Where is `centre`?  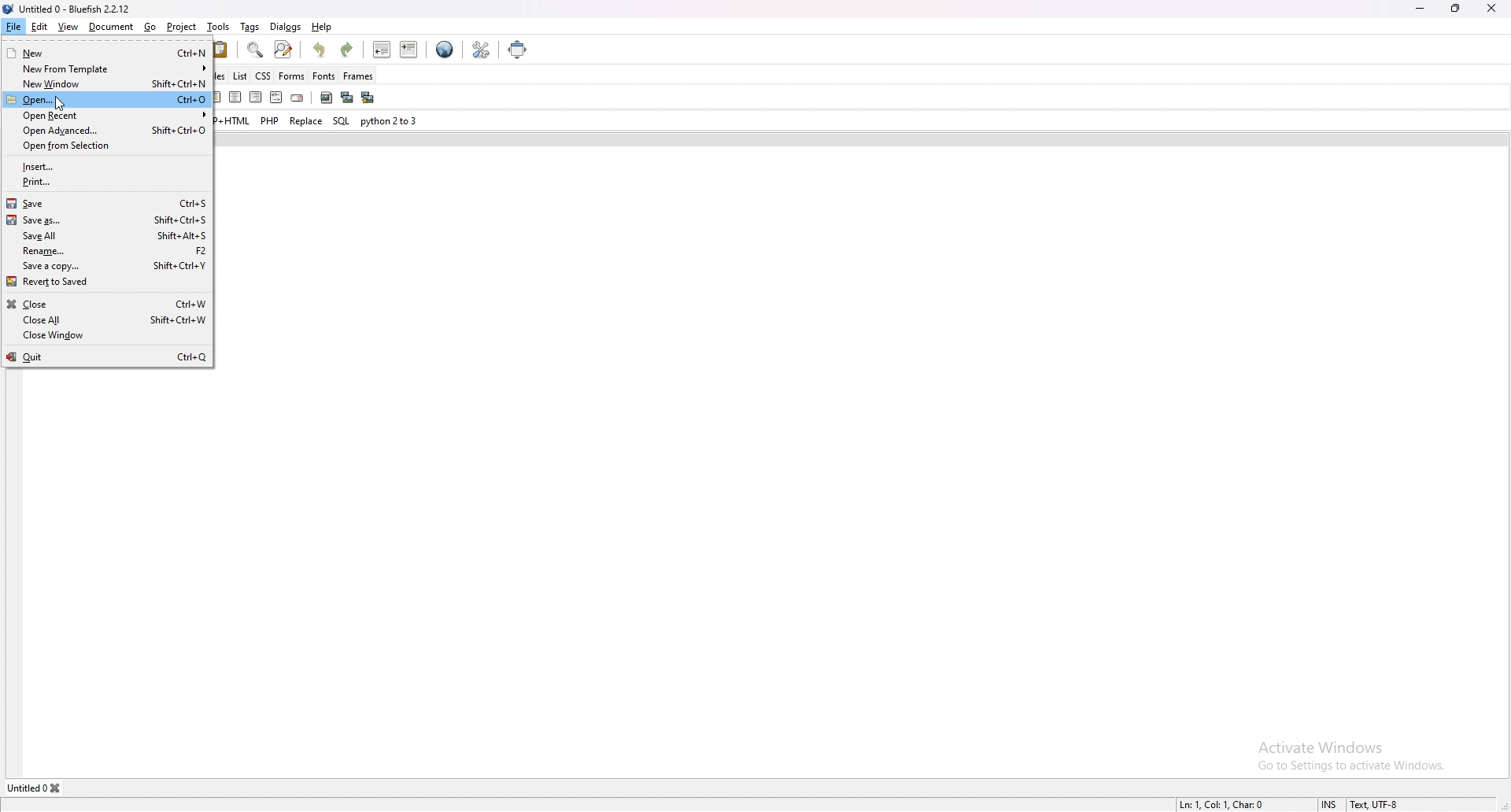
centre is located at coordinates (235, 96).